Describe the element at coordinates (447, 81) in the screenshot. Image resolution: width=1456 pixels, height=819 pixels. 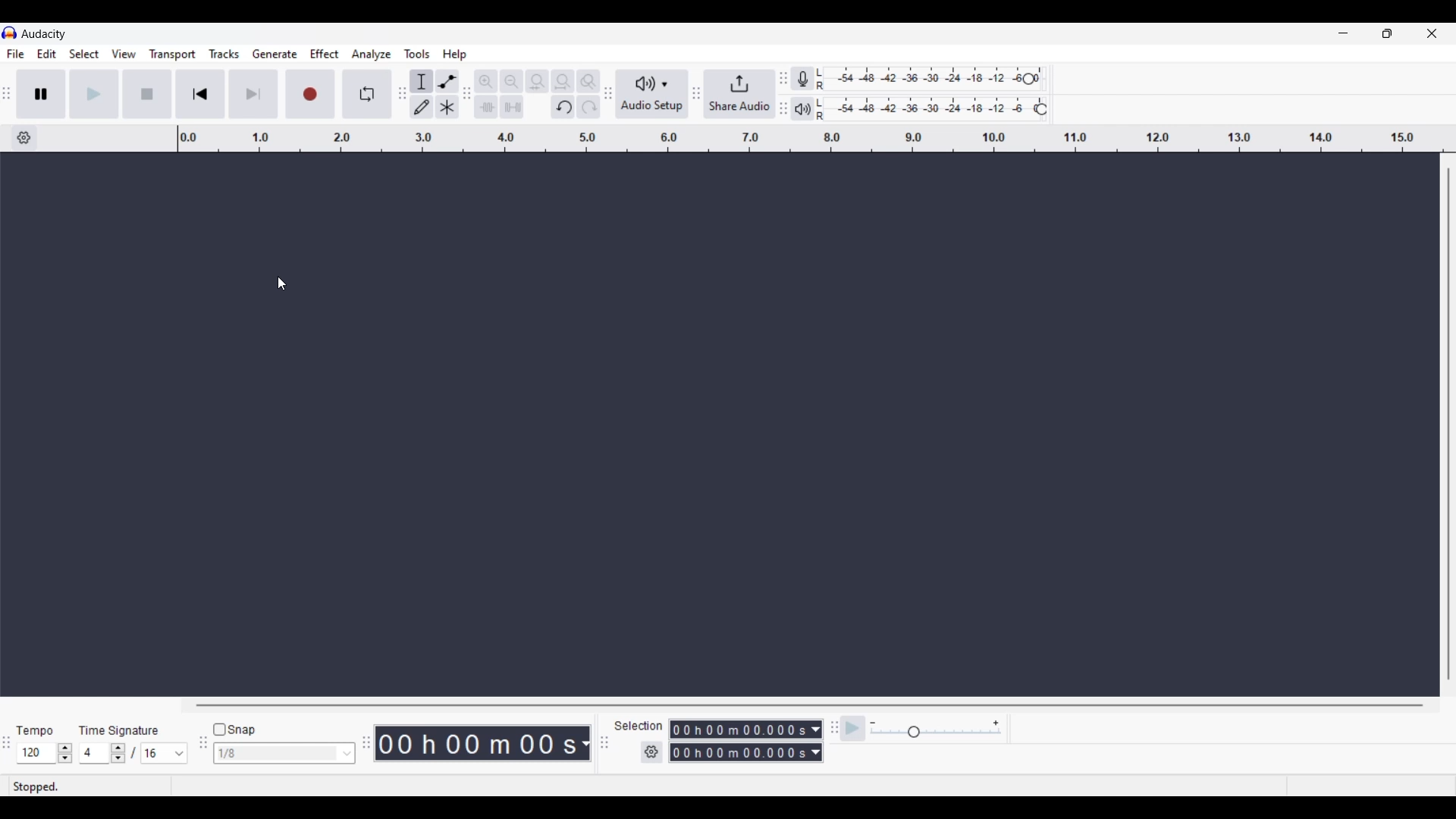
I see `Envelop tool` at that location.